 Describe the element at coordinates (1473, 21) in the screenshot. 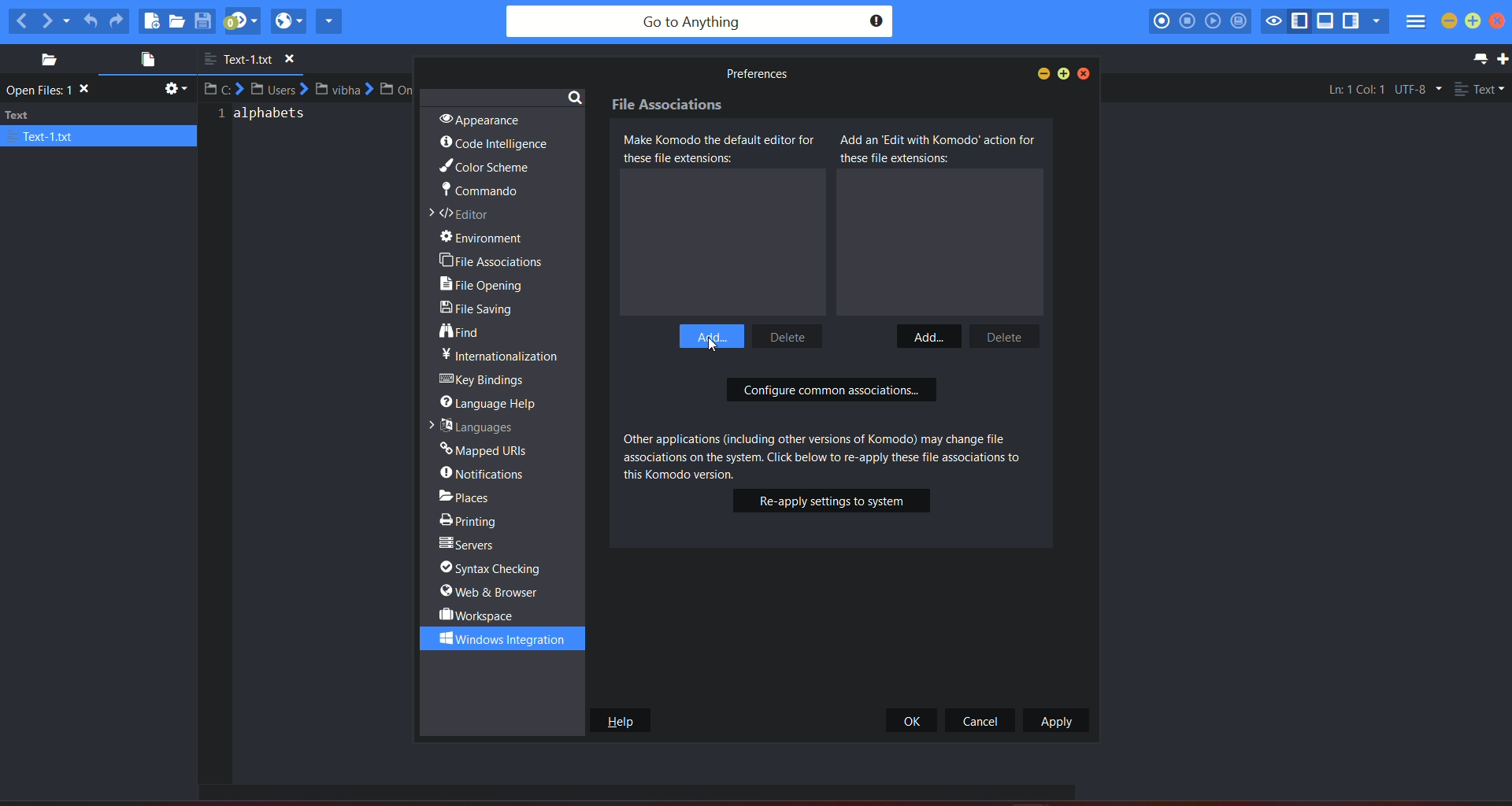

I see `maximize` at that location.